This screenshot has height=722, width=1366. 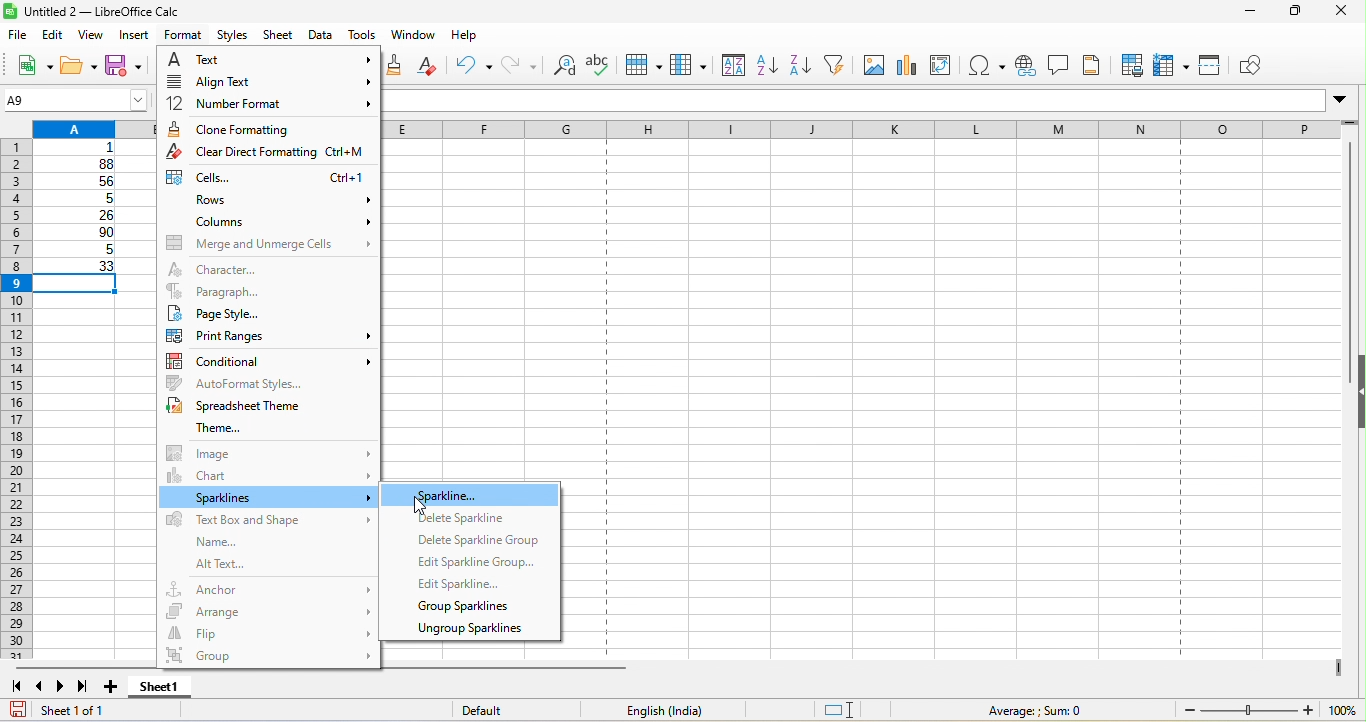 What do you see at coordinates (176, 689) in the screenshot?
I see `sheet 1` at bounding box center [176, 689].